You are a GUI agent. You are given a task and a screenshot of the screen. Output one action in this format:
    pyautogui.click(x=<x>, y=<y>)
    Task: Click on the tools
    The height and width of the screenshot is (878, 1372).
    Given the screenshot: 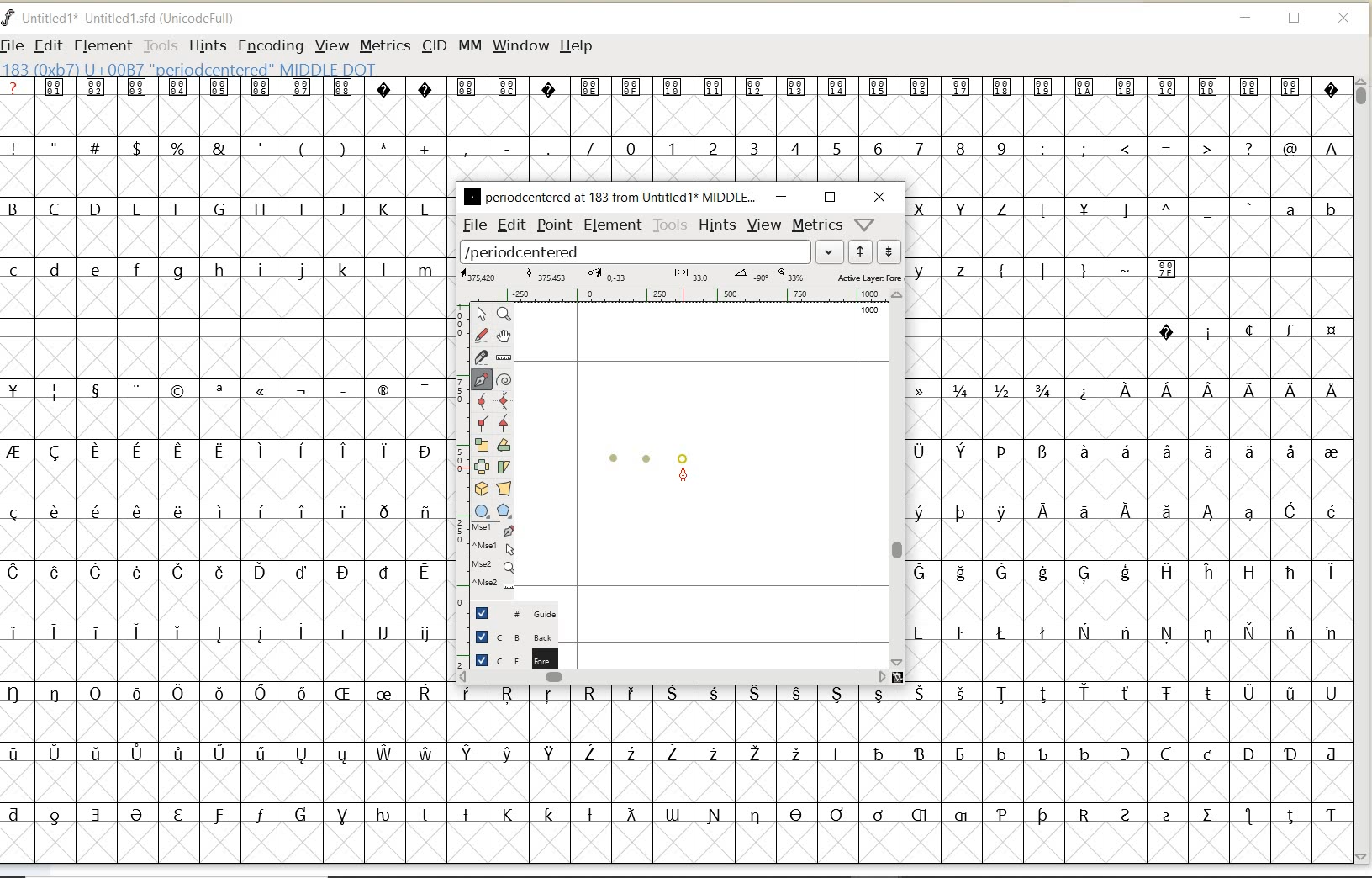 What is the action you would take?
    pyautogui.click(x=670, y=225)
    